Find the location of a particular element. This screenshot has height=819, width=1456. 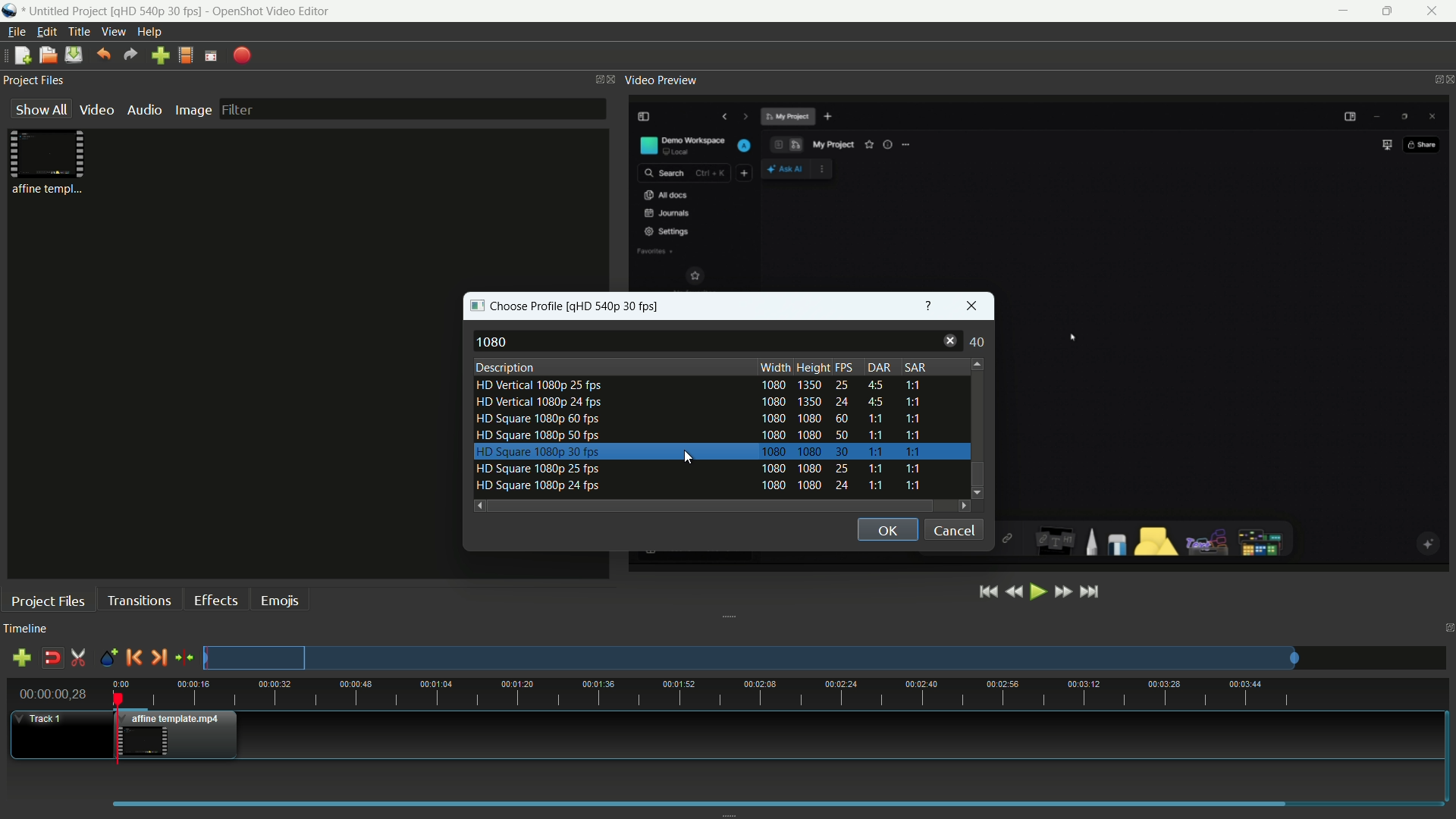

jump to end is located at coordinates (1091, 592).